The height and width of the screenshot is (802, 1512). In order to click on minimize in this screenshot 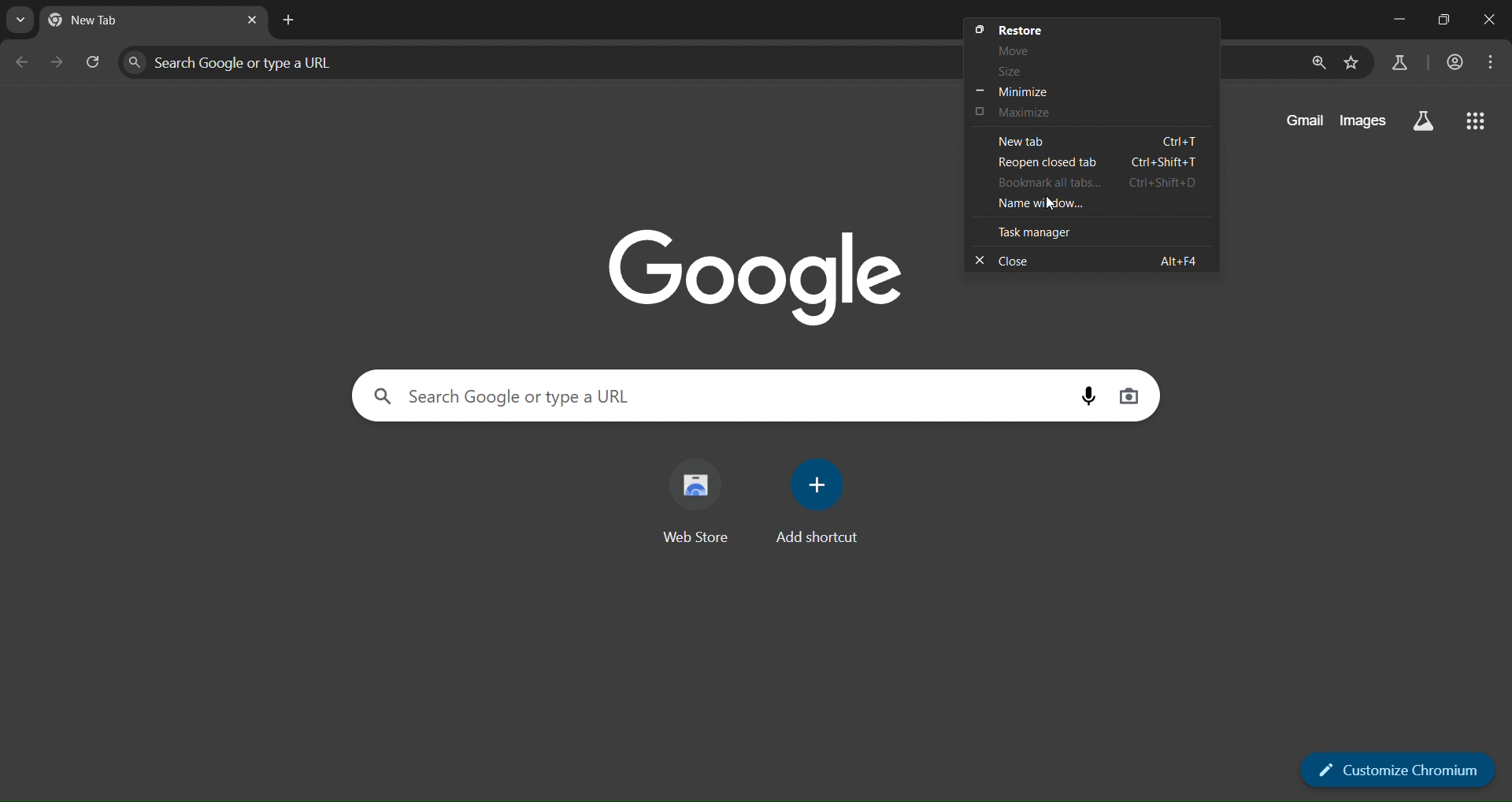, I will do `click(1395, 19)`.